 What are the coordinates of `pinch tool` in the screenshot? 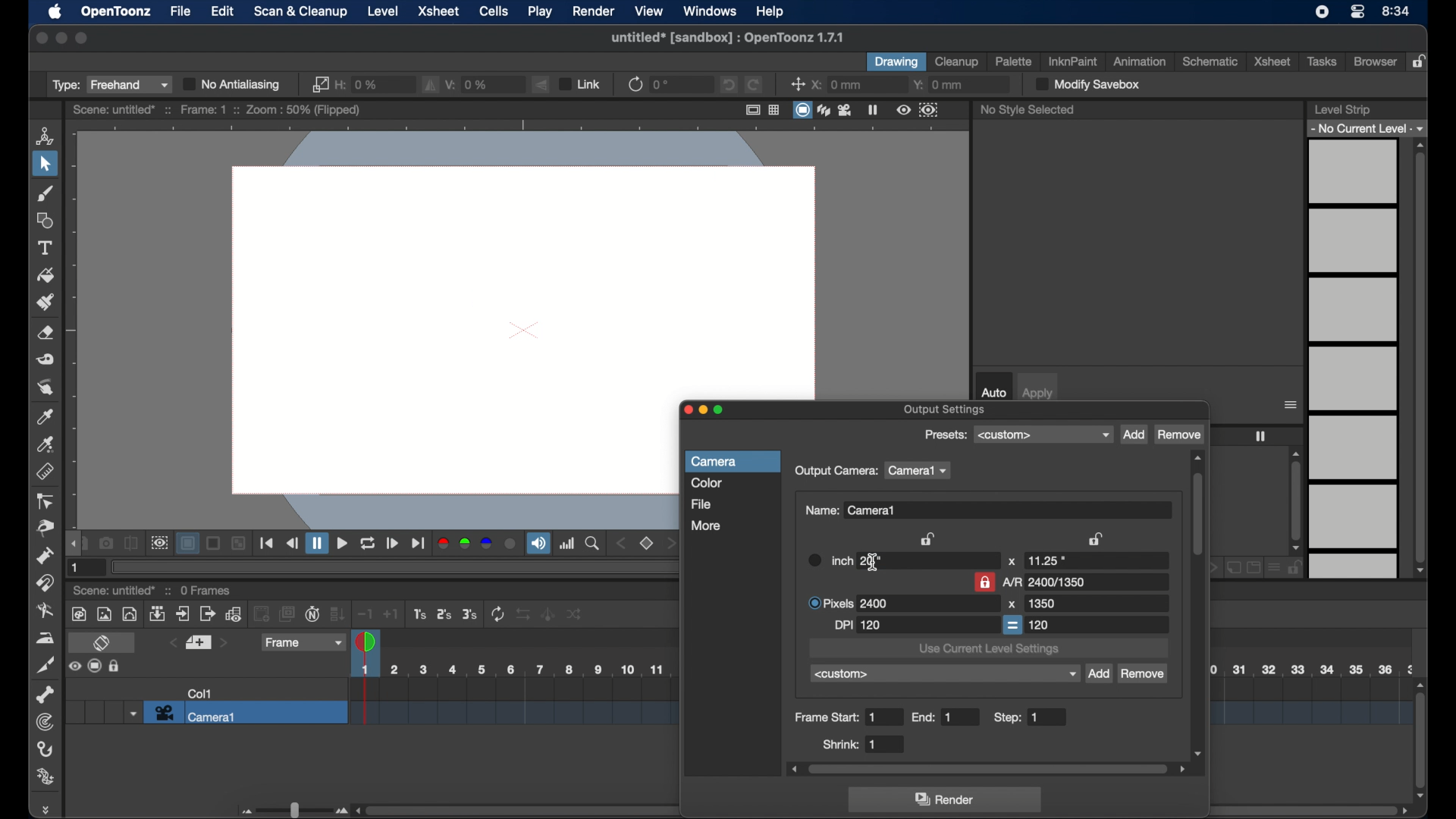 It's located at (42, 529).